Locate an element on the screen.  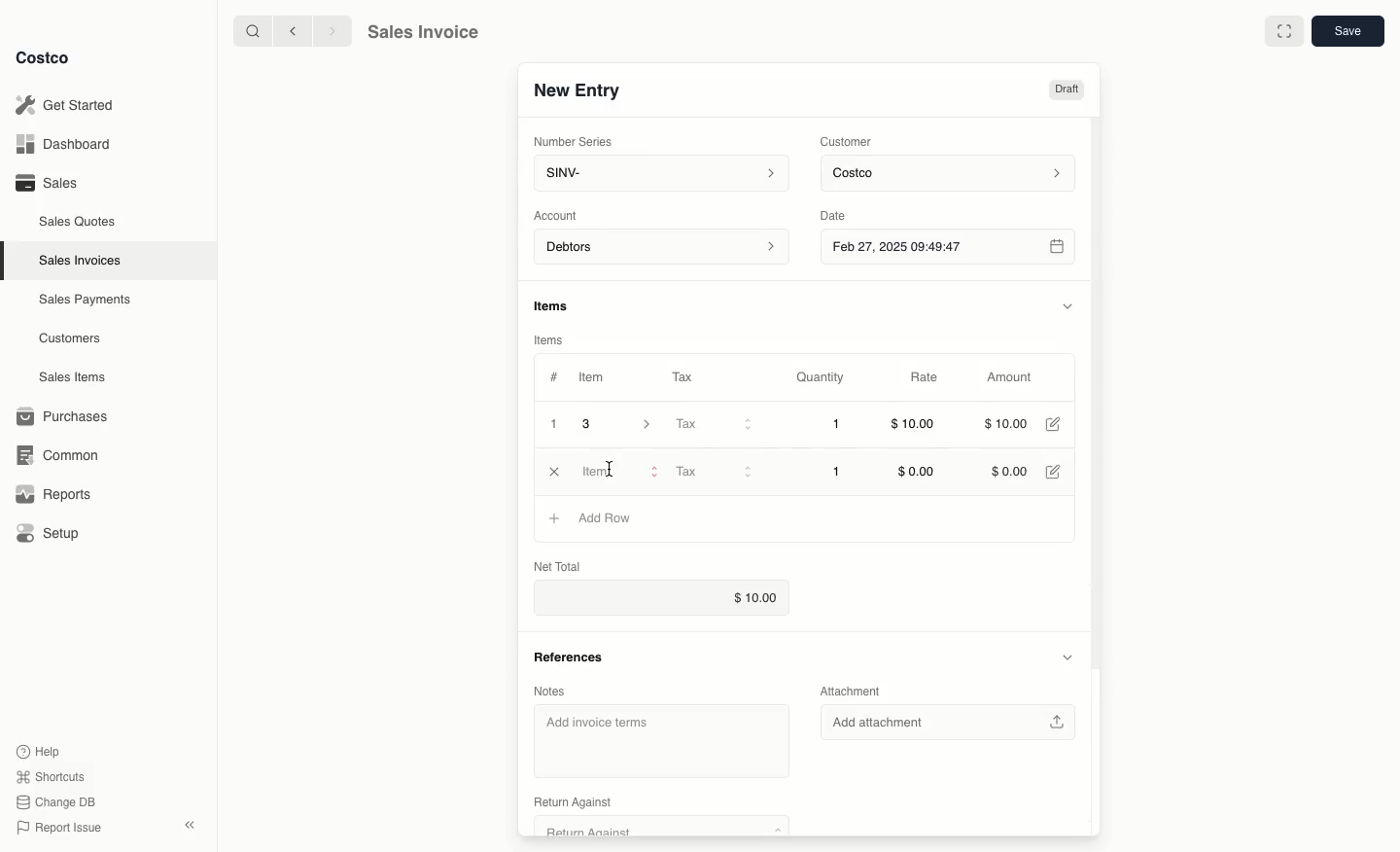
Add attachment is located at coordinates (953, 722).